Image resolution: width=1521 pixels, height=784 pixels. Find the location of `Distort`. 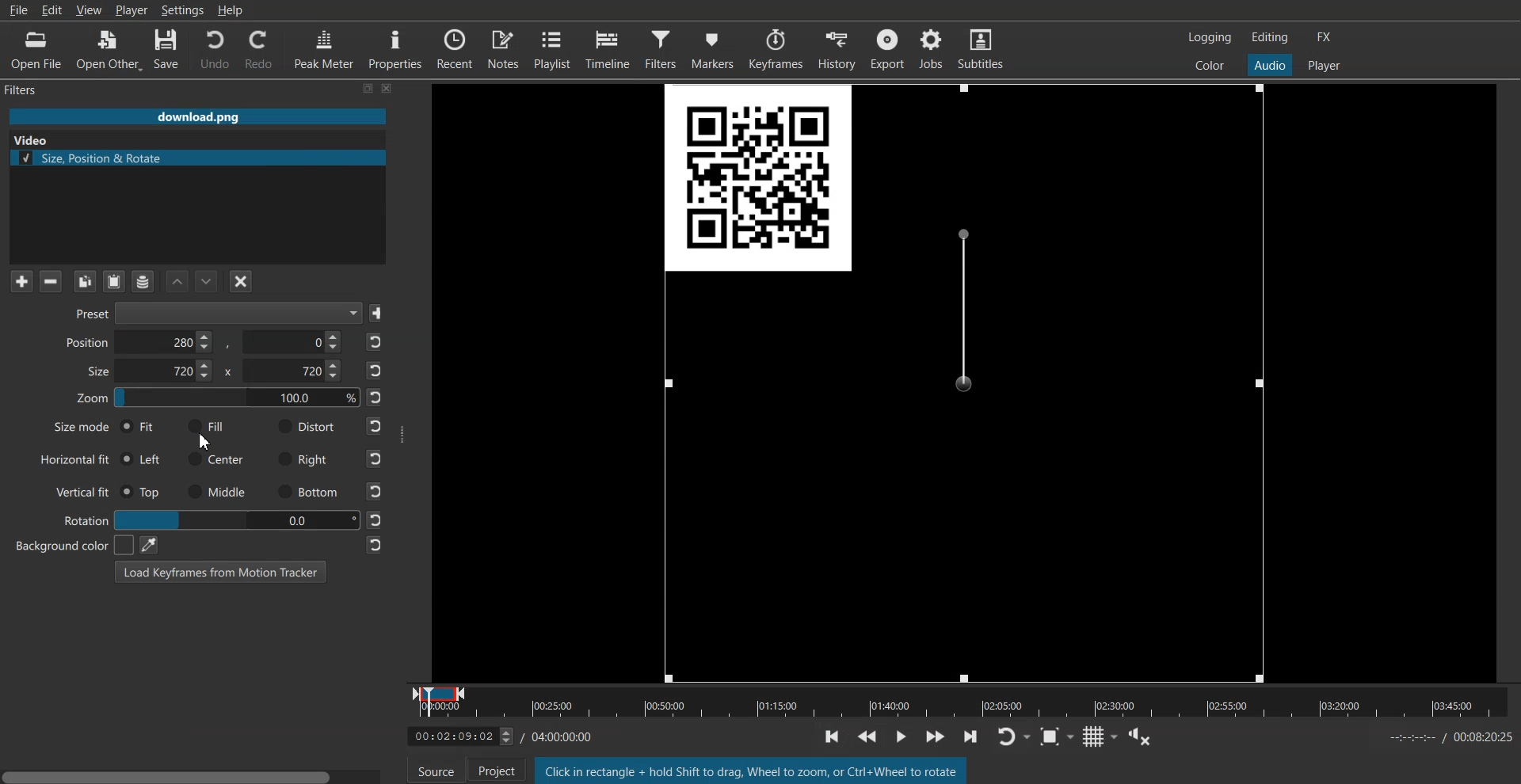

Distort is located at coordinates (305, 426).